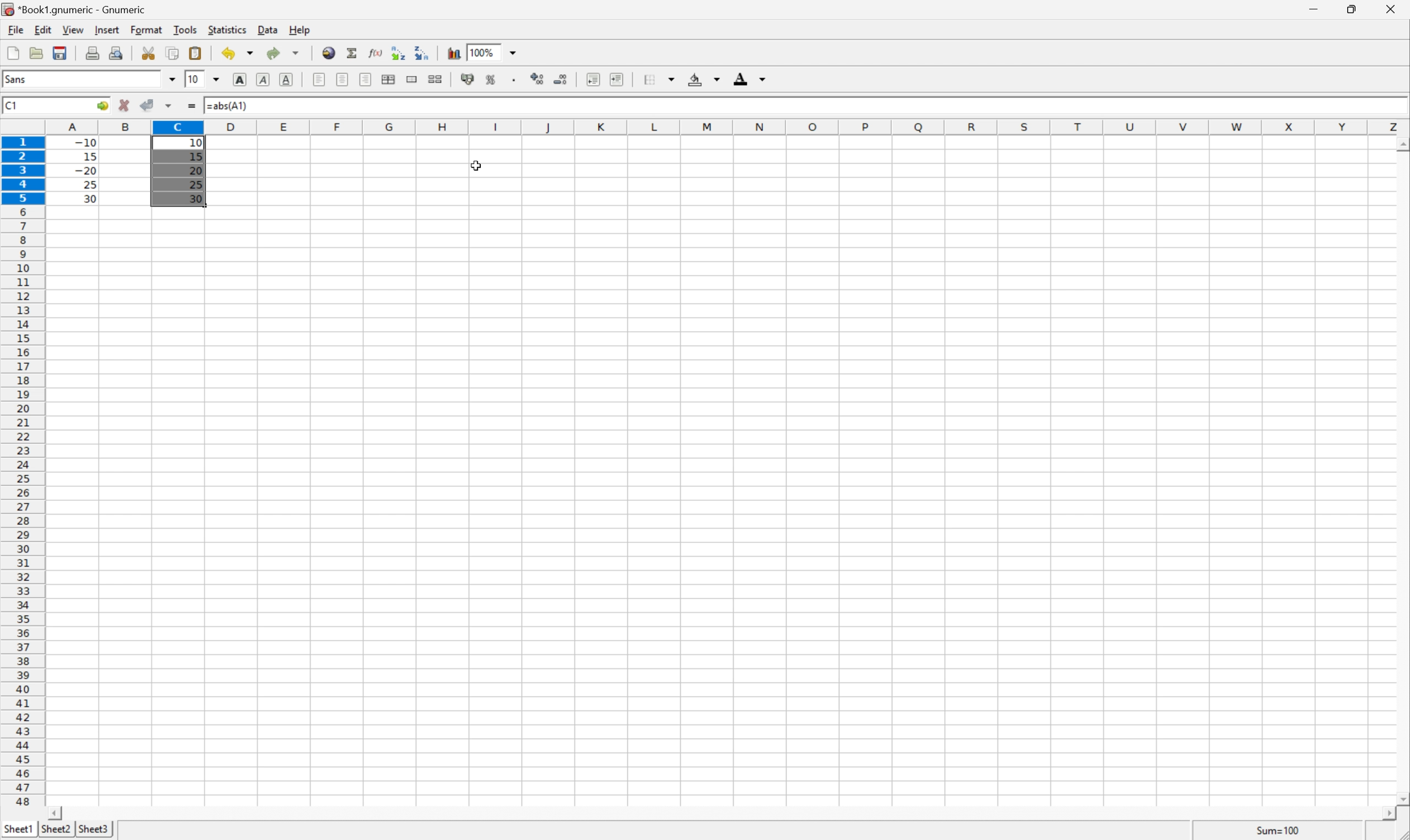 This screenshot has width=1410, height=840. What do you see at coordinates (366, 81) in the screenshot?
I see `align right` at bounding box center [366, 81].